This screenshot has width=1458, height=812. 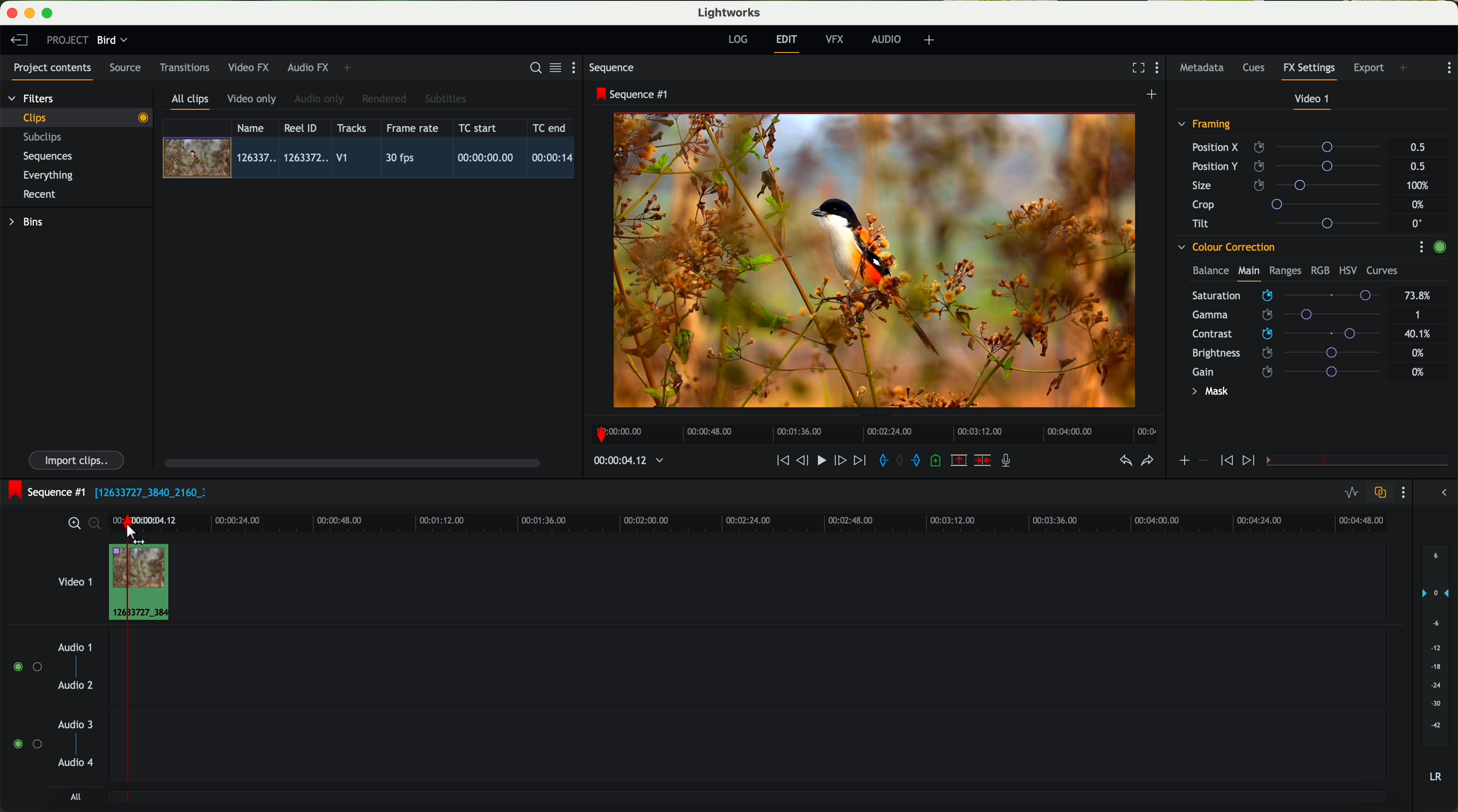 What do you see at coordinates (842, 461) in the screenshot?
I see `nudge one frame foward` at bounding box center [842, 461].